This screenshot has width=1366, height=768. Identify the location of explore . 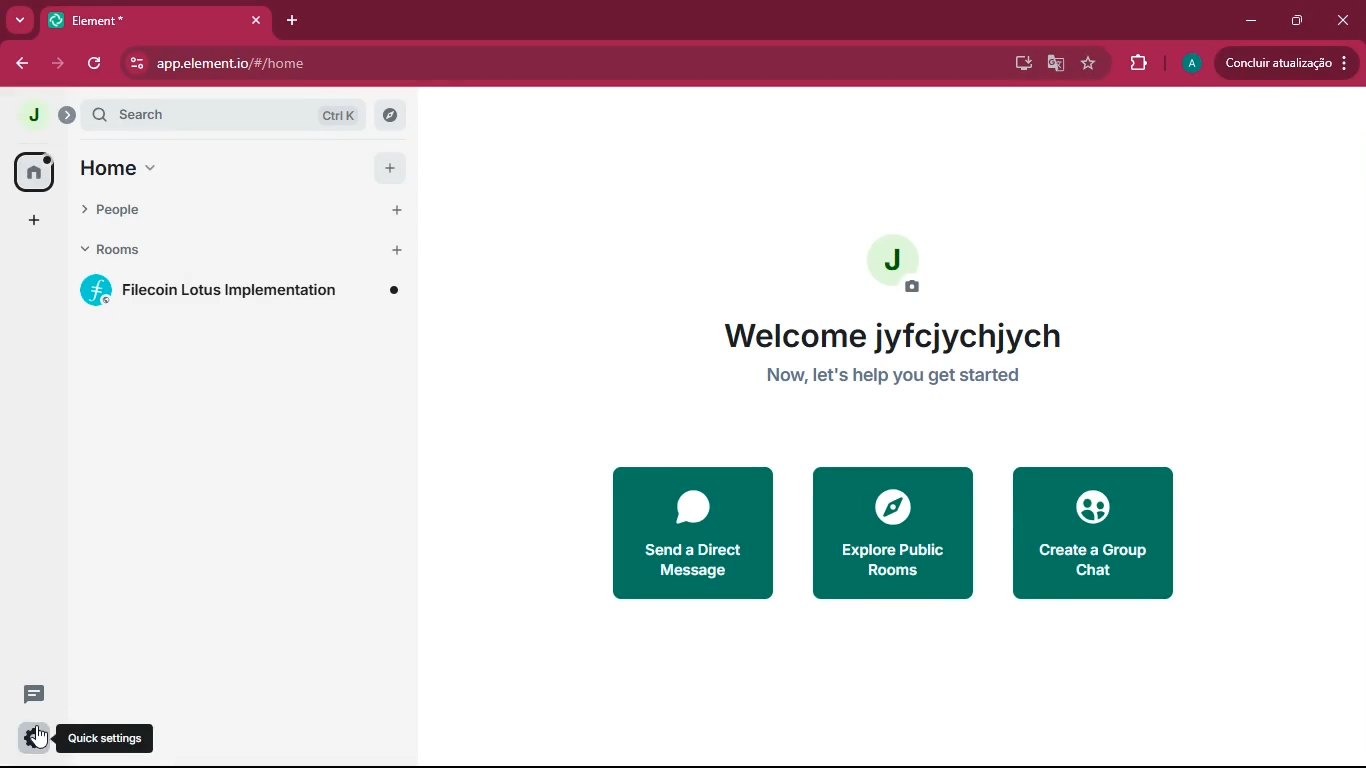
(891, 532).